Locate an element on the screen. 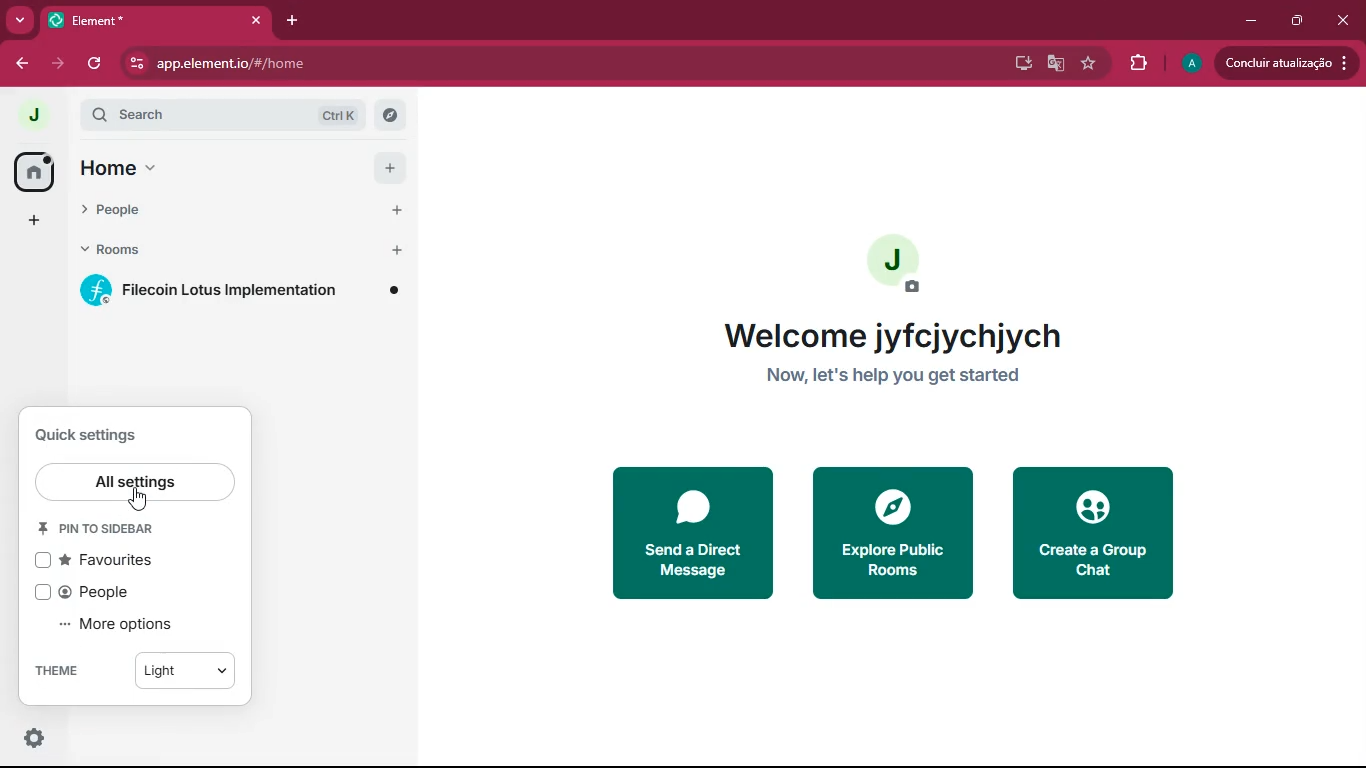 The height and width of the screenshot is (768, 1366). app.element.io/#/home is located at coordinates (335, 64).